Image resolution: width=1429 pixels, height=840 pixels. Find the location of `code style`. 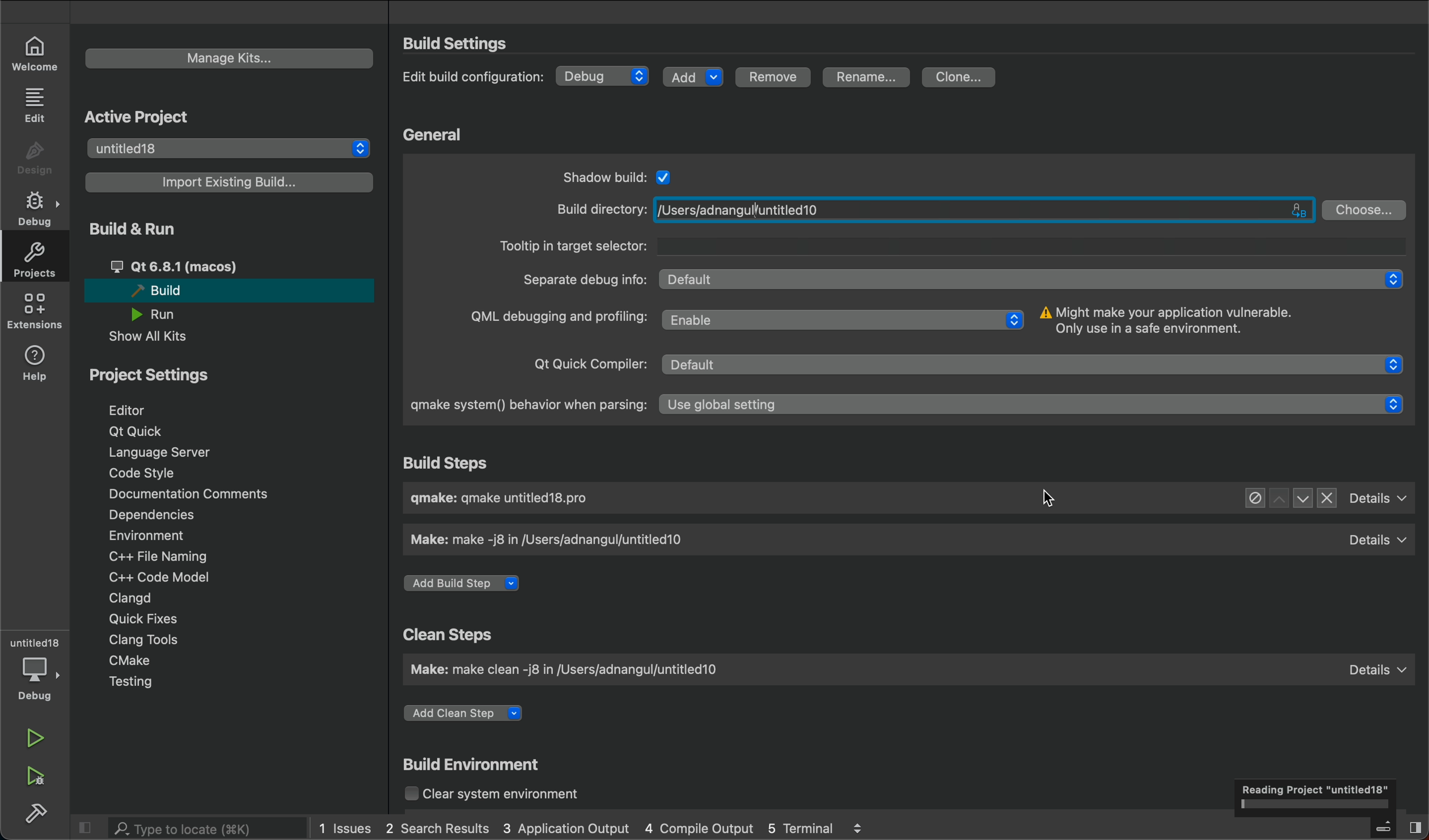

code style is located at coordinates (142, 474).